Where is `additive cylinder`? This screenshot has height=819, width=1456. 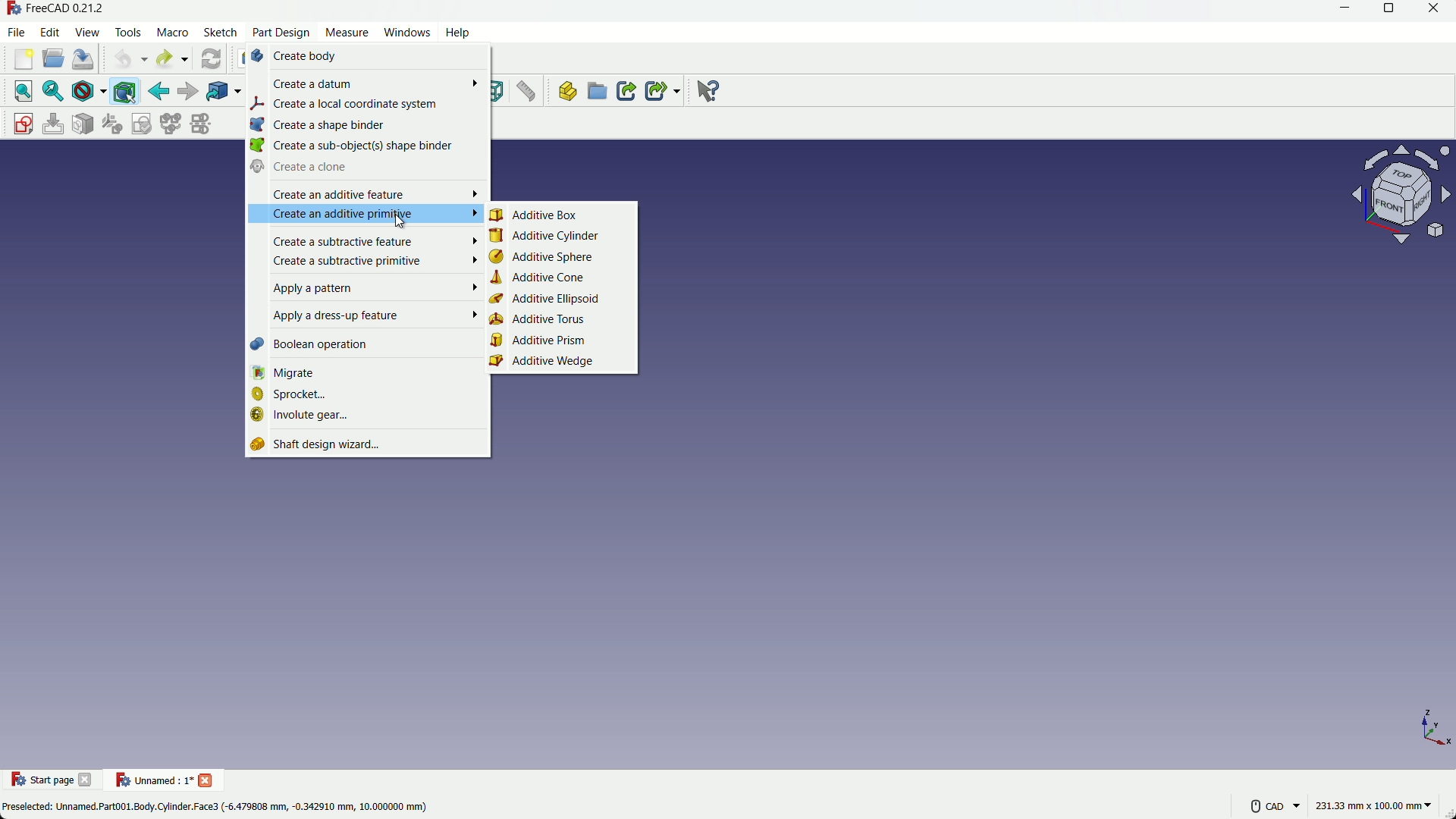
additive cylinder is located at coordinates (560, 237).